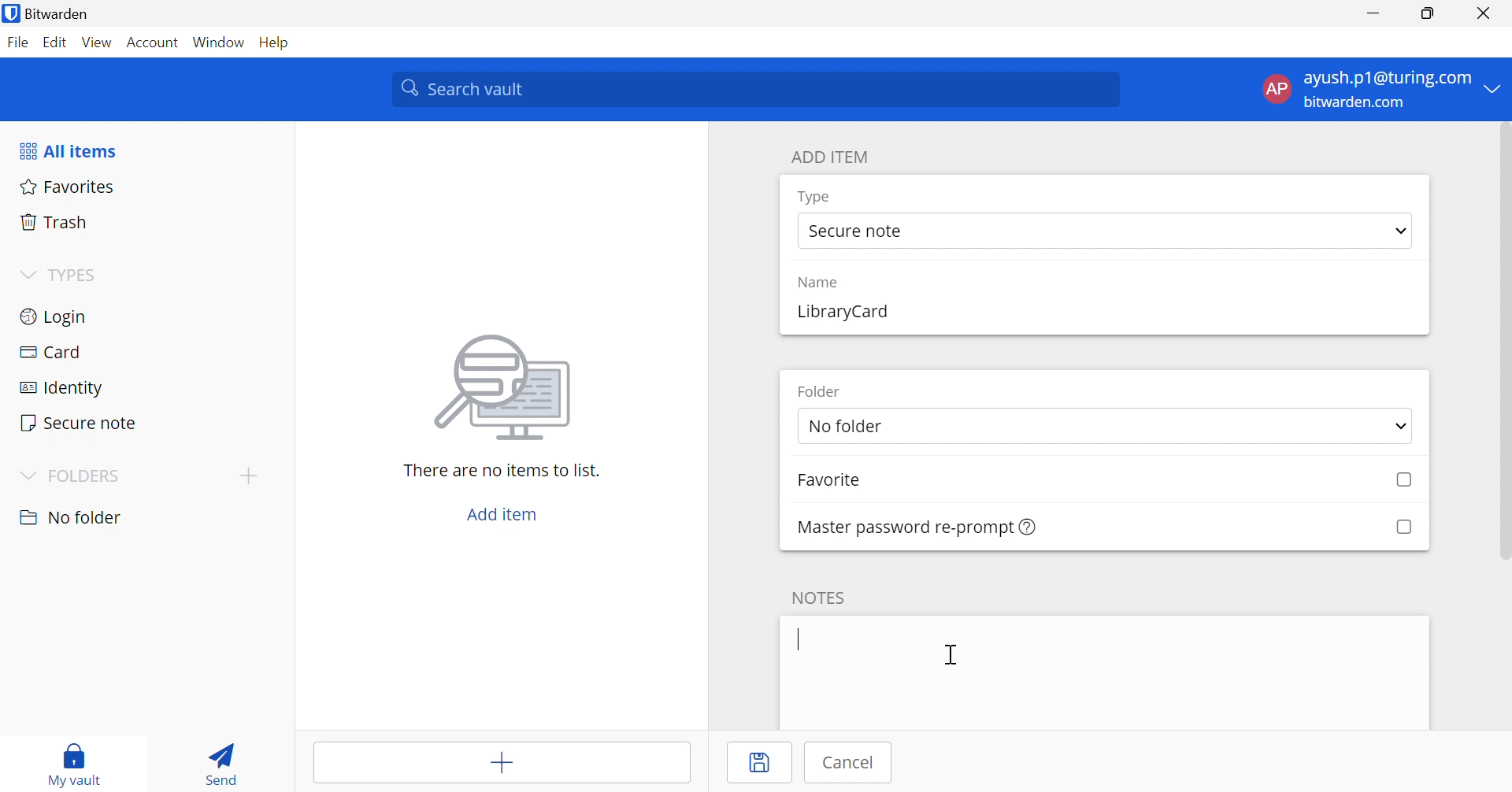 This screenshot has height=792, width=1512. I want to click on All items, so click(67, 149).